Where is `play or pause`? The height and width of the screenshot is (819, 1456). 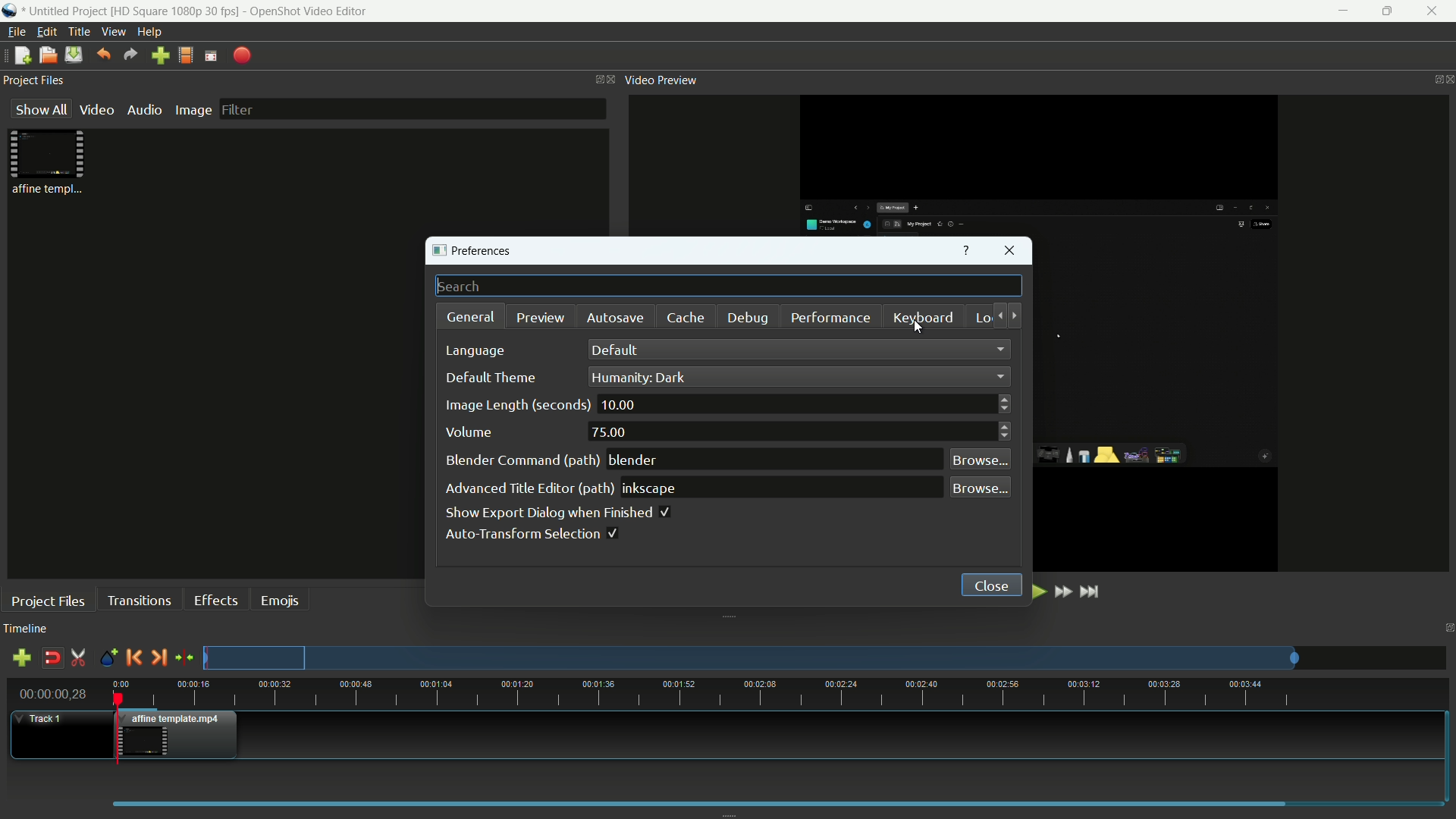 play or pause is located at coordinates (1037, 591).